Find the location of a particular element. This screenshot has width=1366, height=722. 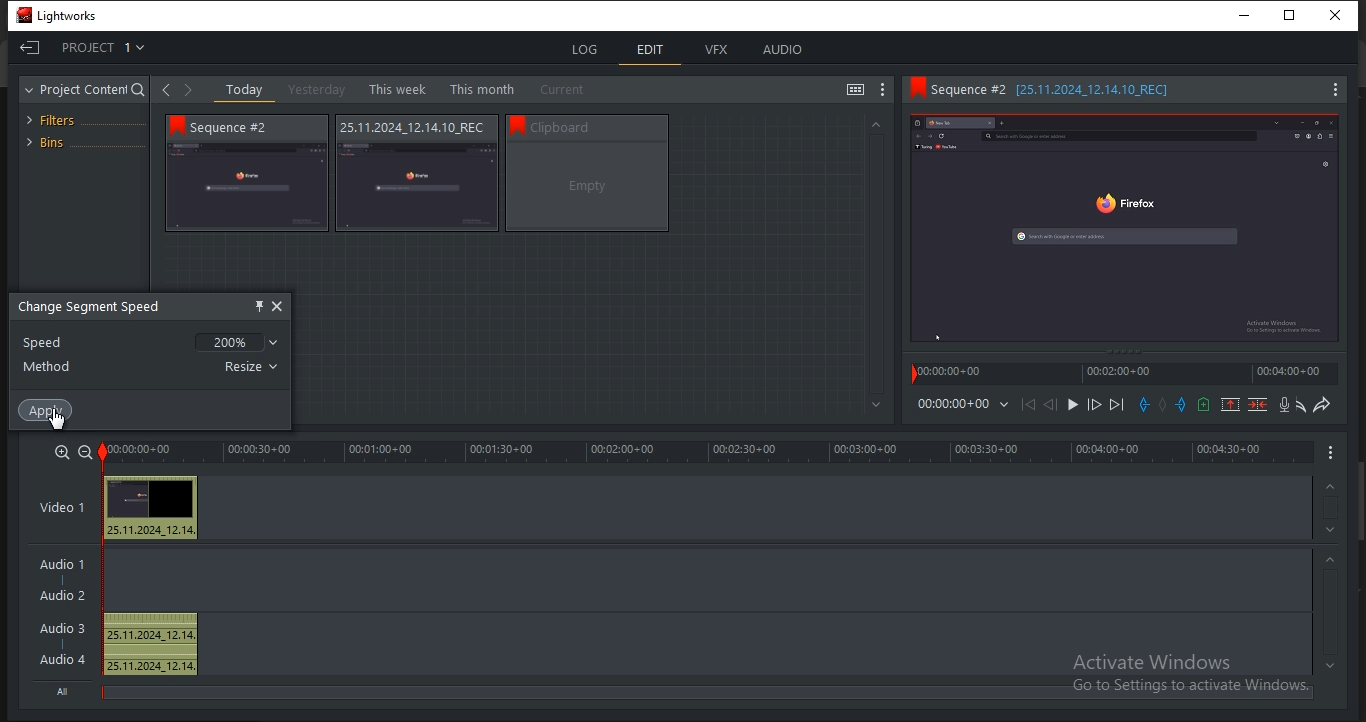

toggle between list and tile view is located at coordinates (856, 89).